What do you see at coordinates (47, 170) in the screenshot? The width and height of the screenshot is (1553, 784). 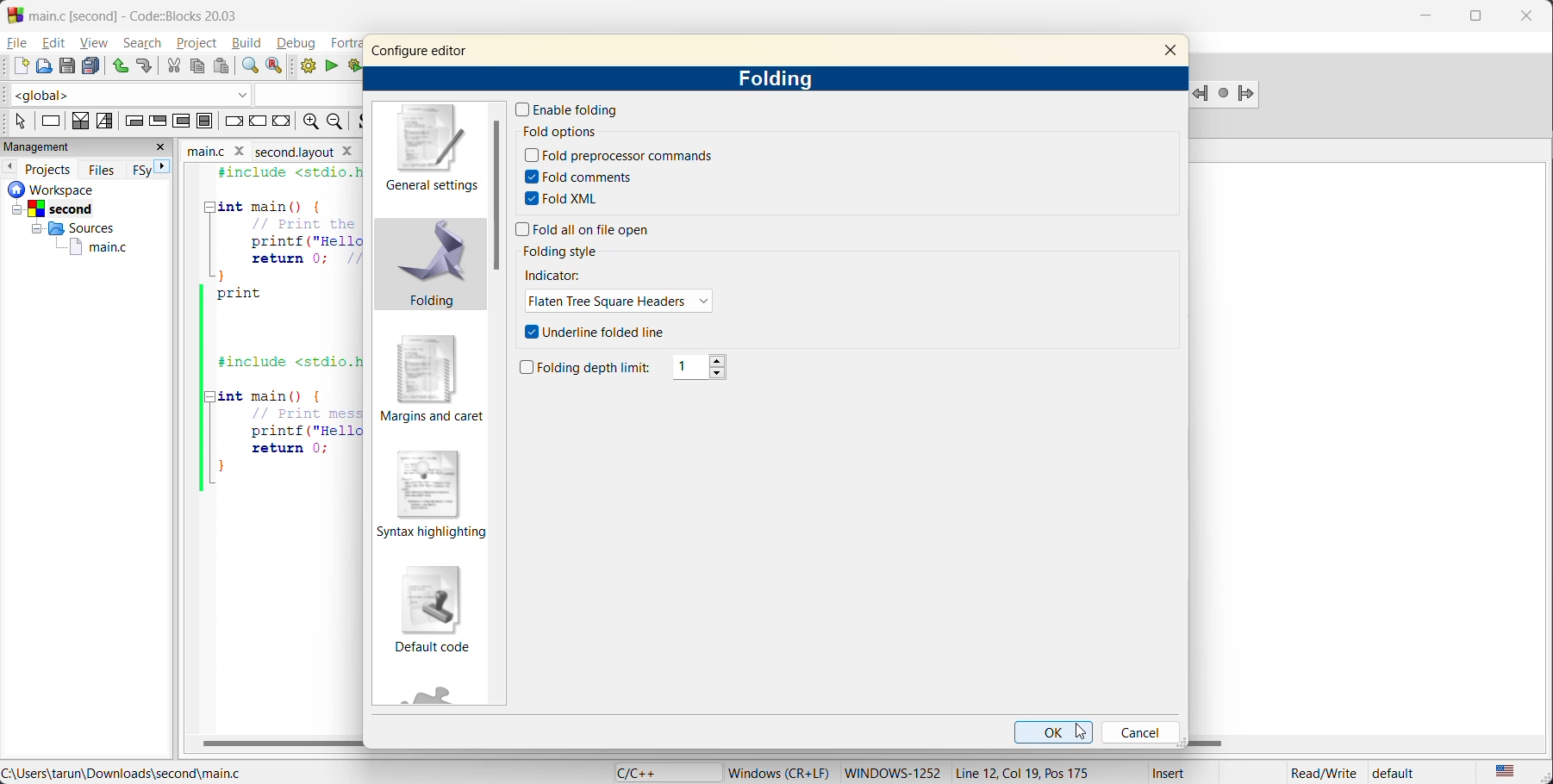 I see `projects` at bounding box center [47, 170].